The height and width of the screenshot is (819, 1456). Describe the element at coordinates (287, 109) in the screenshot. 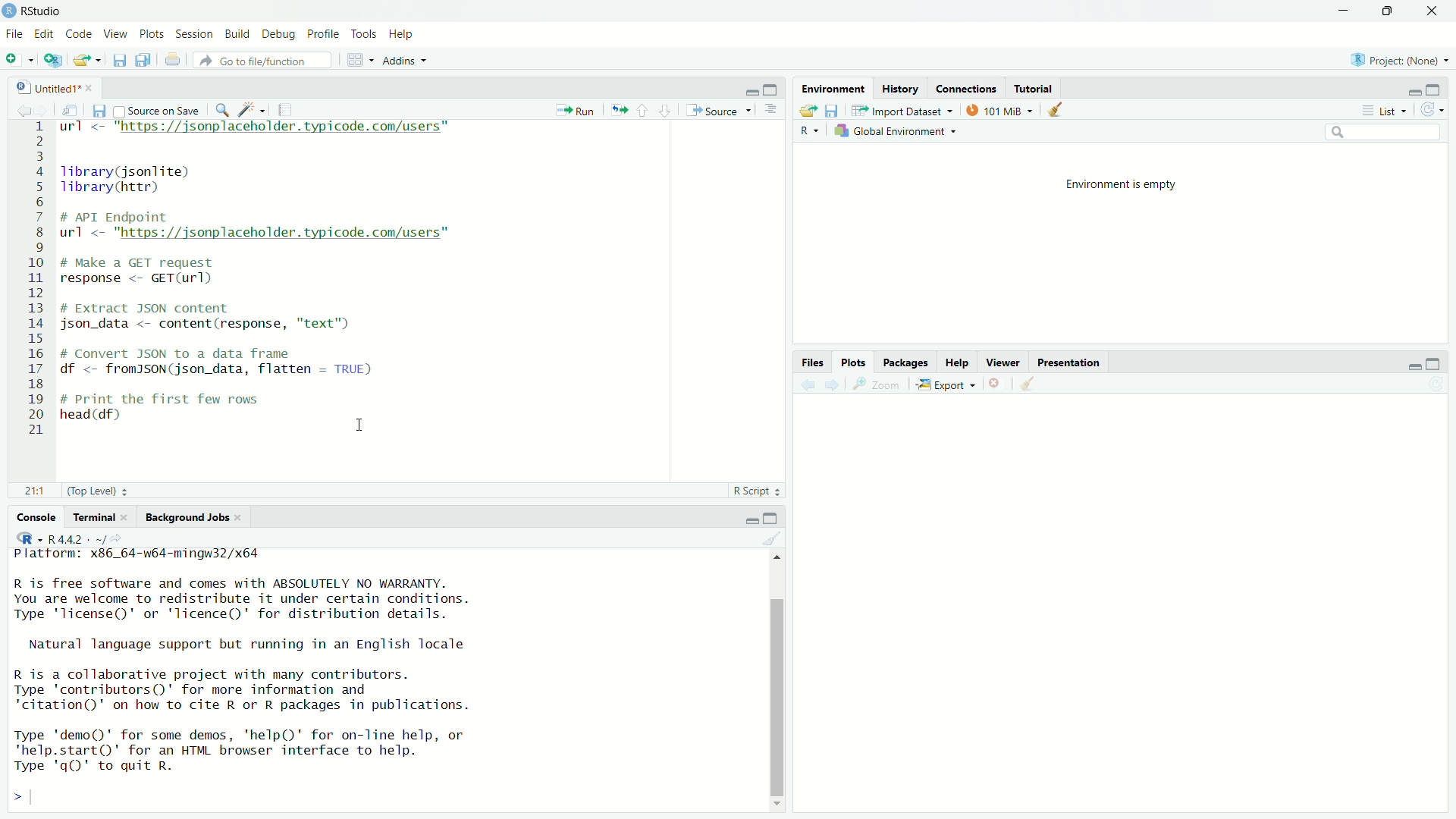

I see `Compile Report` at that location.